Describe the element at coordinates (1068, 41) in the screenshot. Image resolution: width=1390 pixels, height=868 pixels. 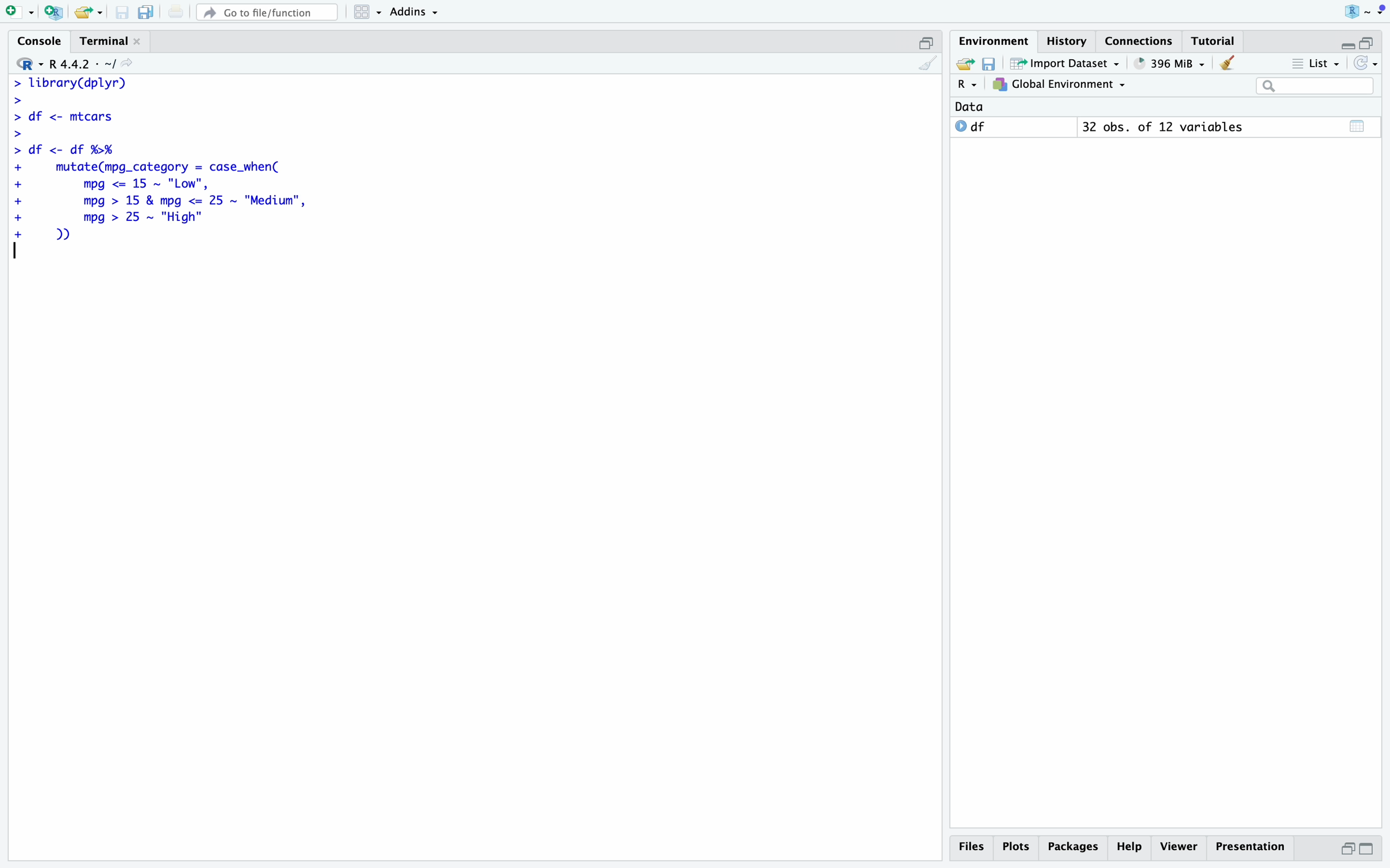
I see `history` at that location.